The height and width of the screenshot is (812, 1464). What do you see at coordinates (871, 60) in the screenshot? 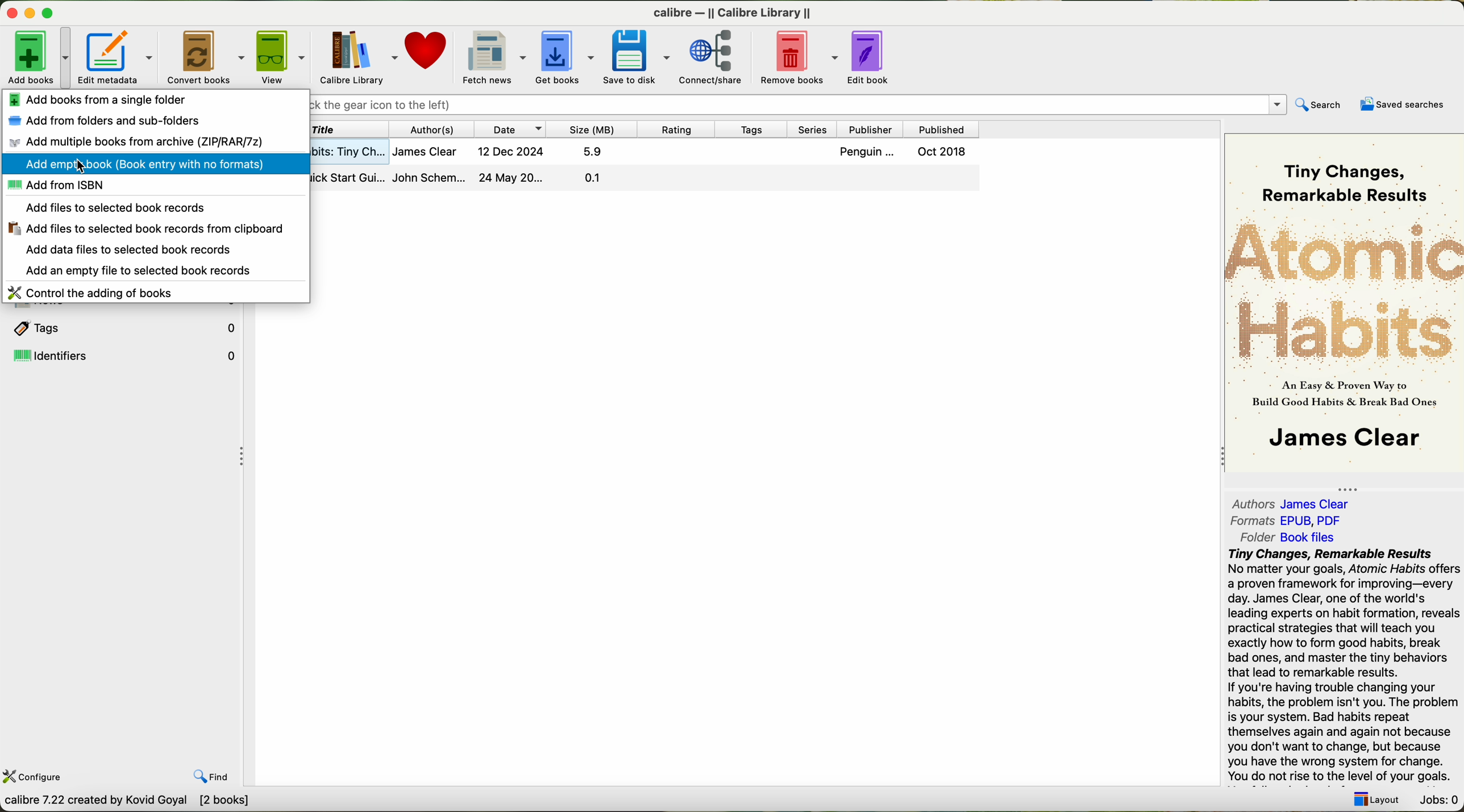
I see `edit book` at bounding box center [871, 60].